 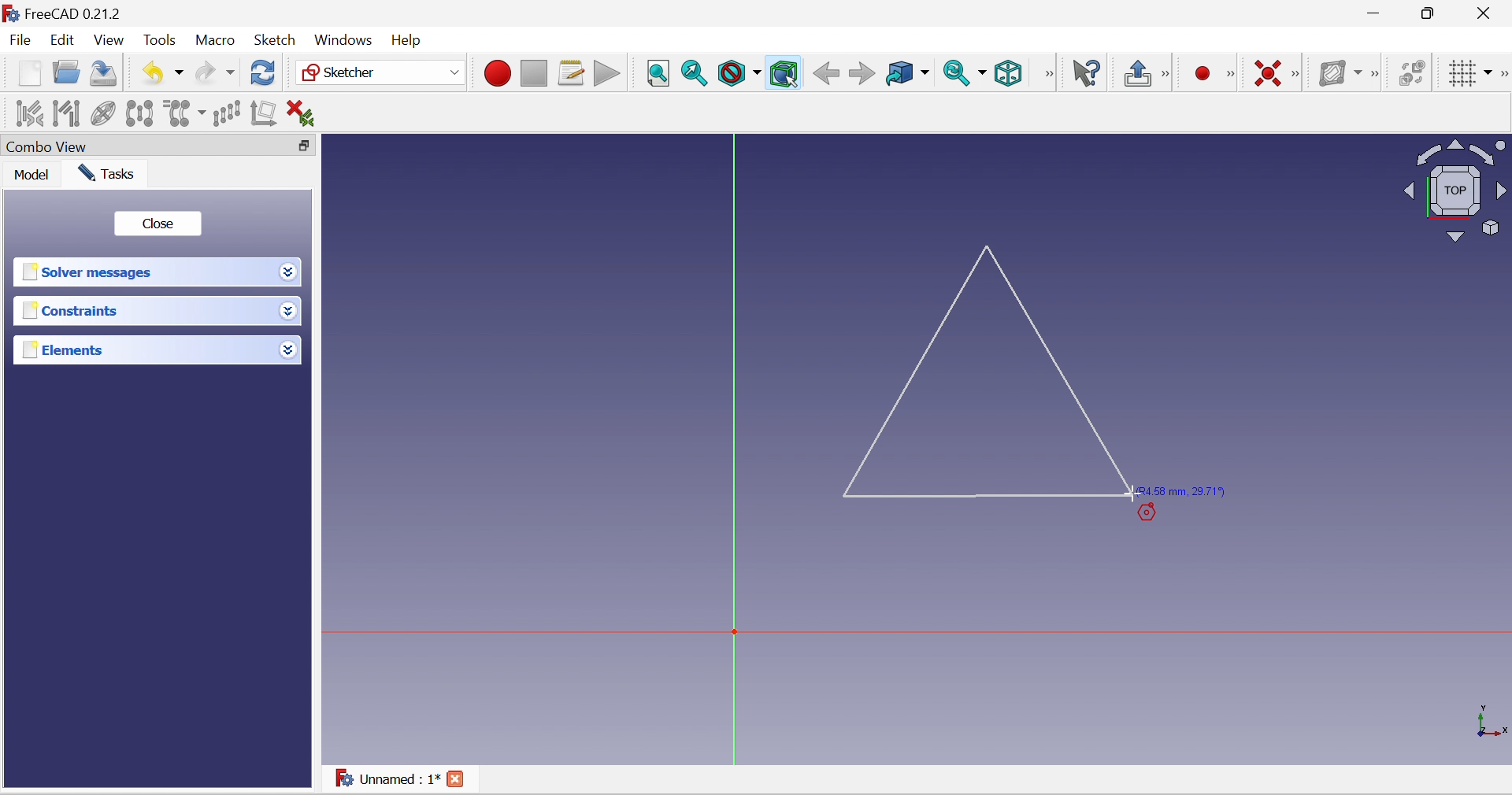 I want to click on View, so click(x=109, y=42).